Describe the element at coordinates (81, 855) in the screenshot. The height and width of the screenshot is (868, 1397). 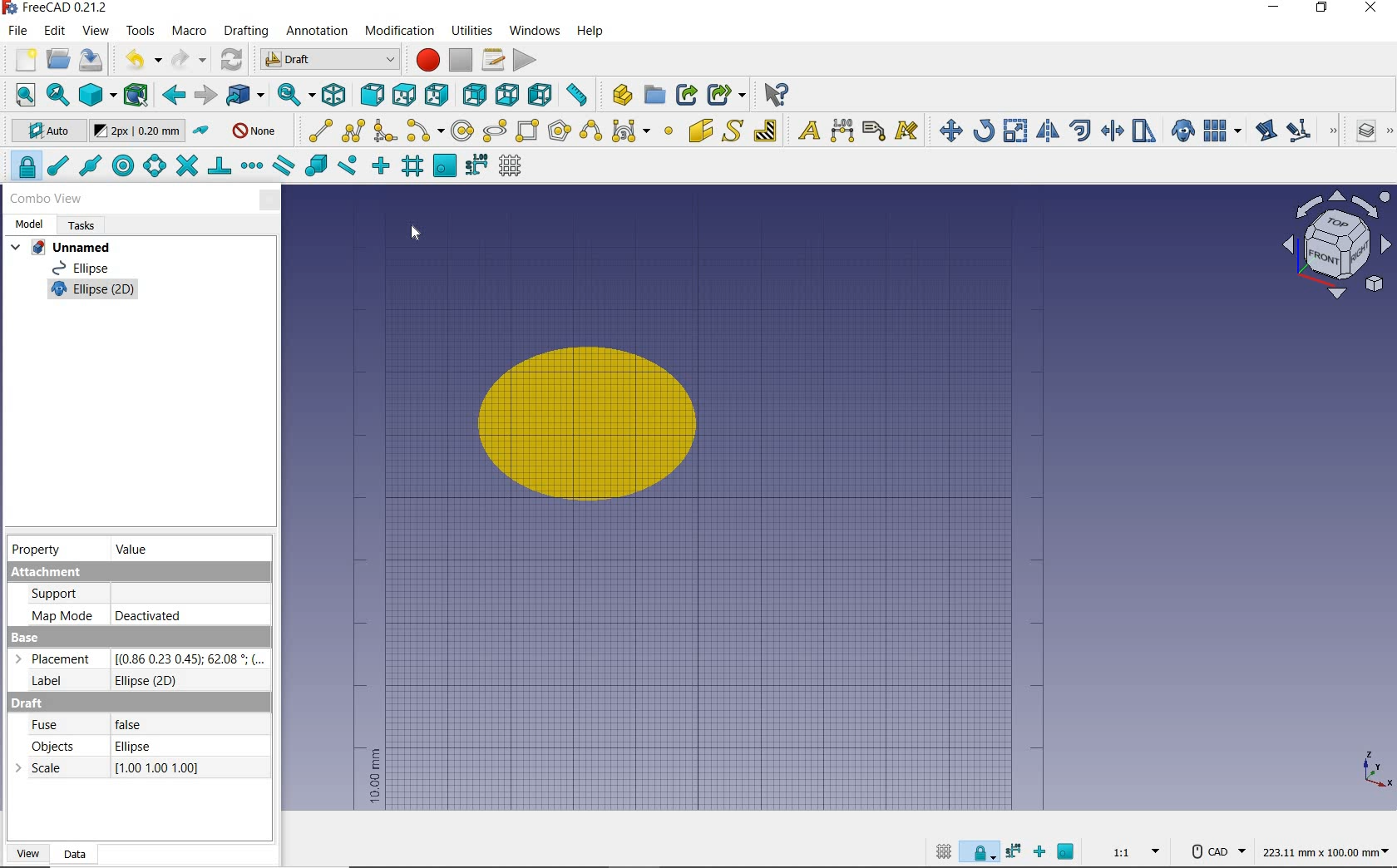
I see `Data` at that location.